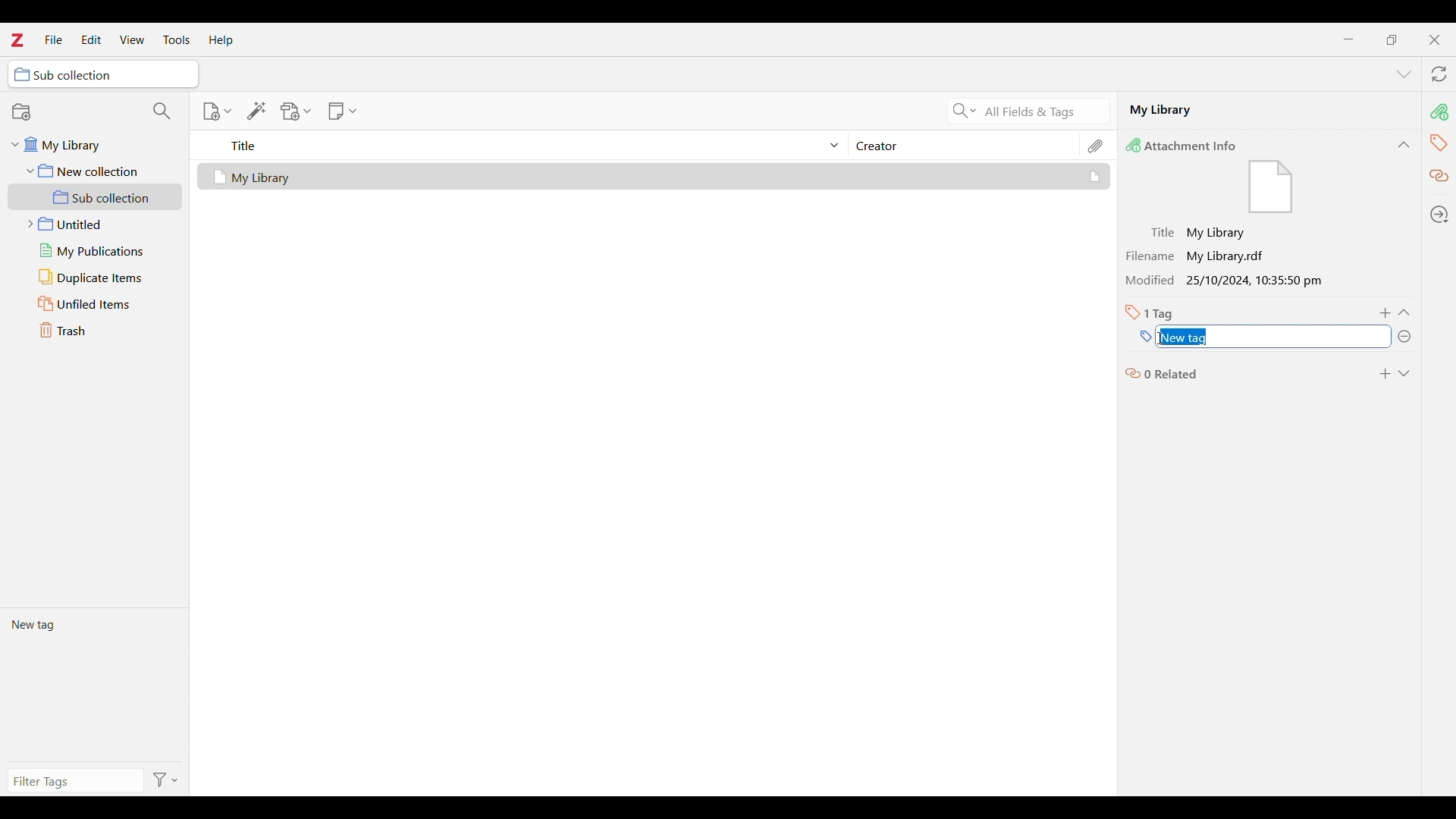  What do you see at coordinates (528, 145) in the screenshot?
I see `Sort title column` at bounding box center [528, 145].